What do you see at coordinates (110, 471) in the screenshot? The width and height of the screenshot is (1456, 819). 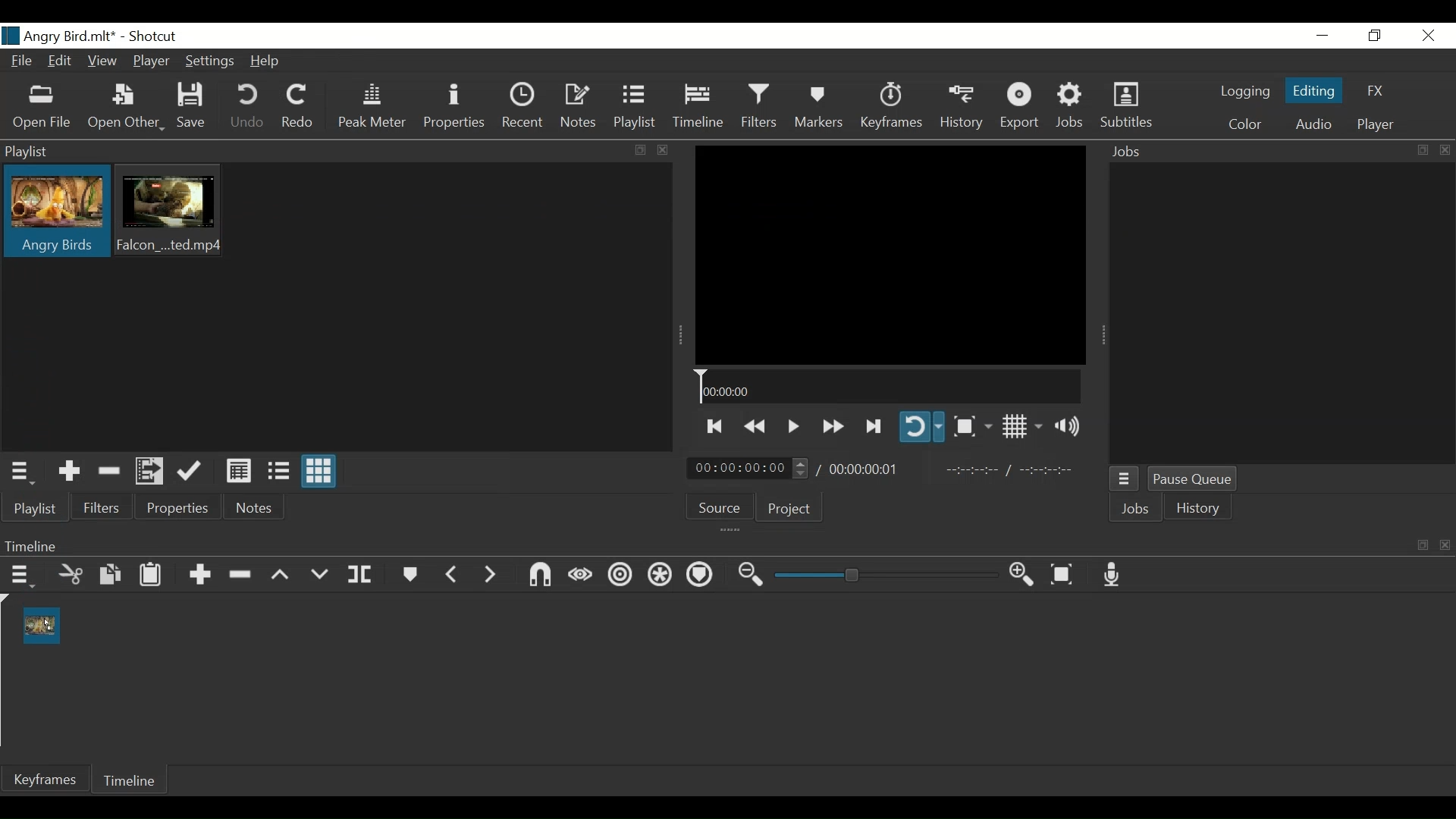 I see `Remove cut` at bounding box center [110, 471].